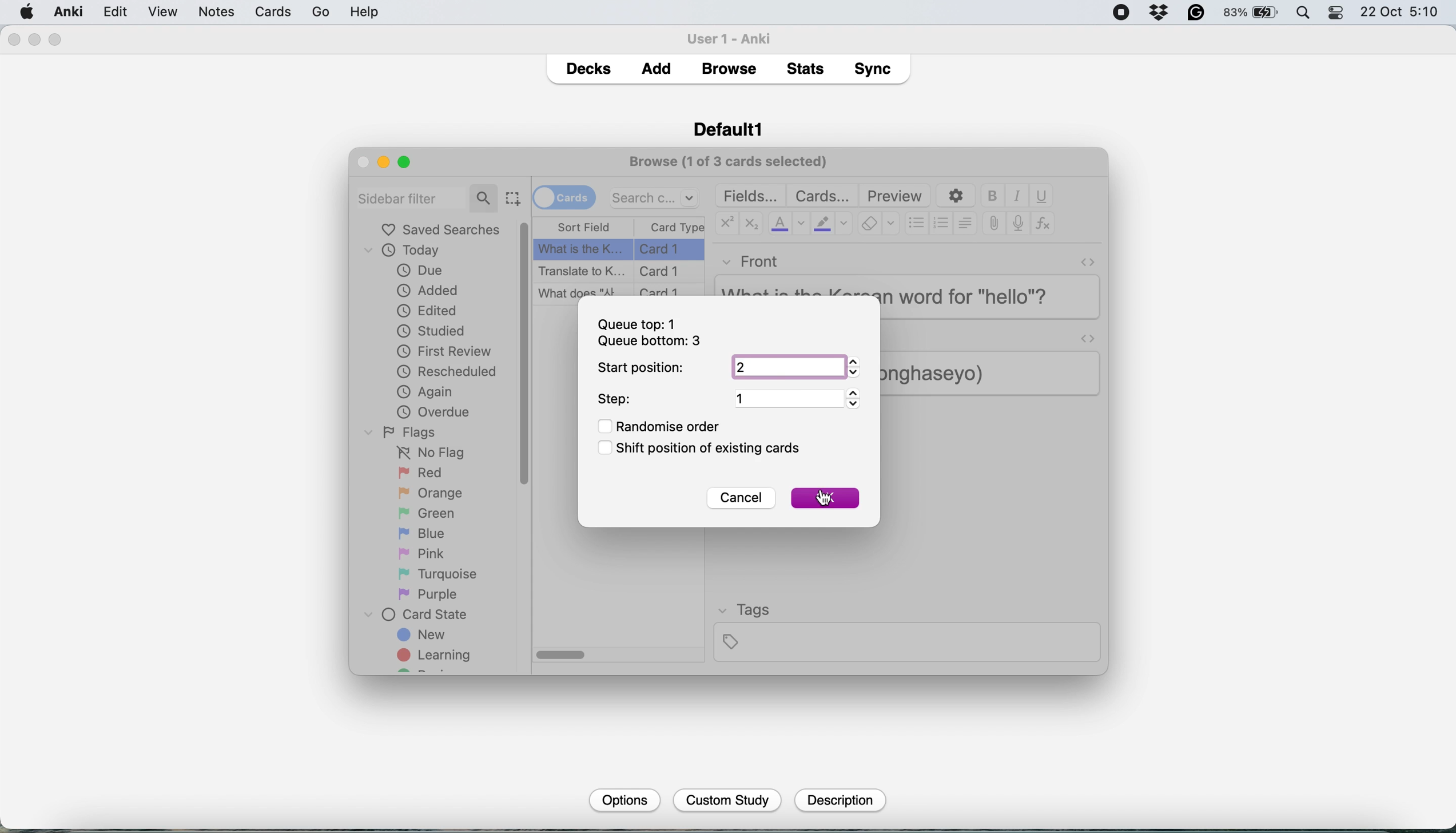 The width and height of the screenshot is (1456, 833). I want to click on again, so click(425, 392).